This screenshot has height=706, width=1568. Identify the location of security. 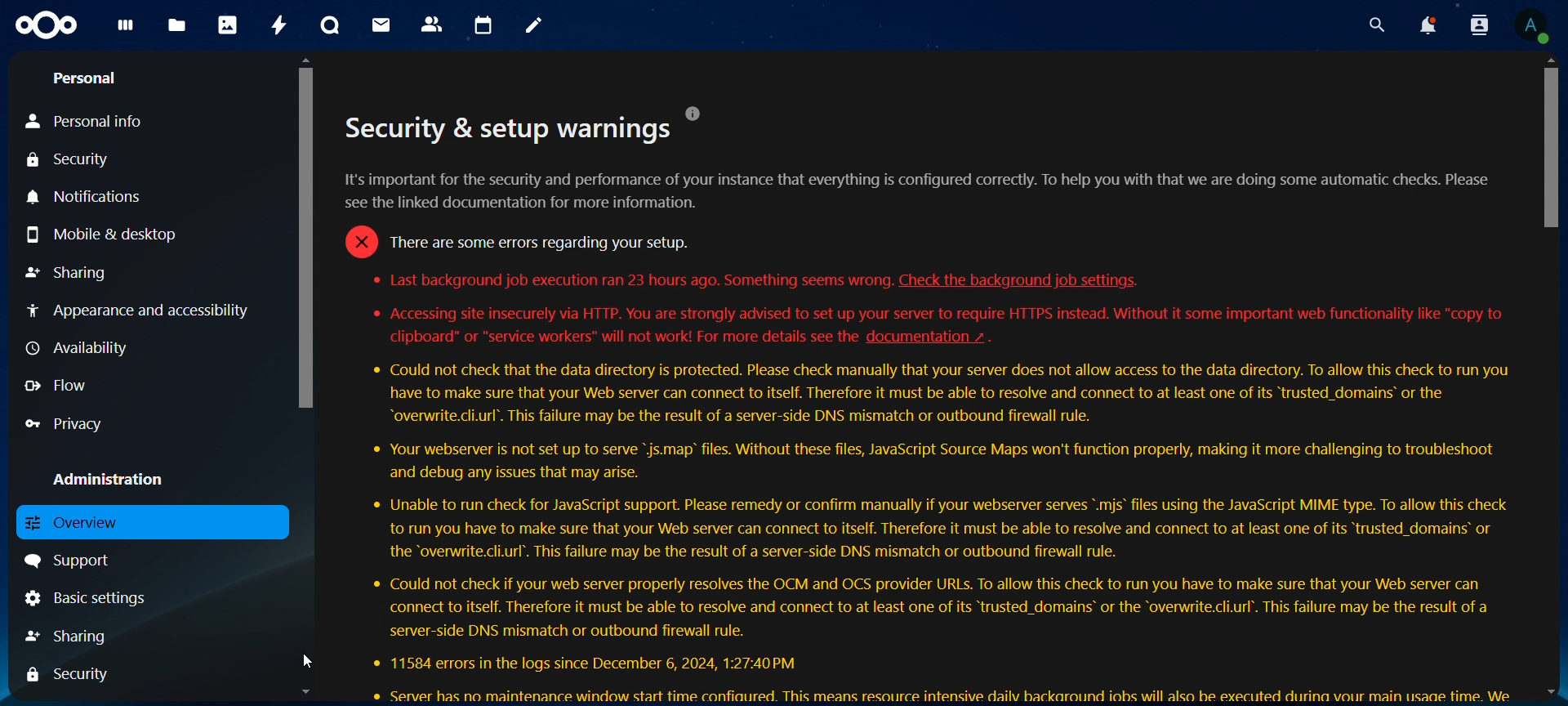
(65, 673).